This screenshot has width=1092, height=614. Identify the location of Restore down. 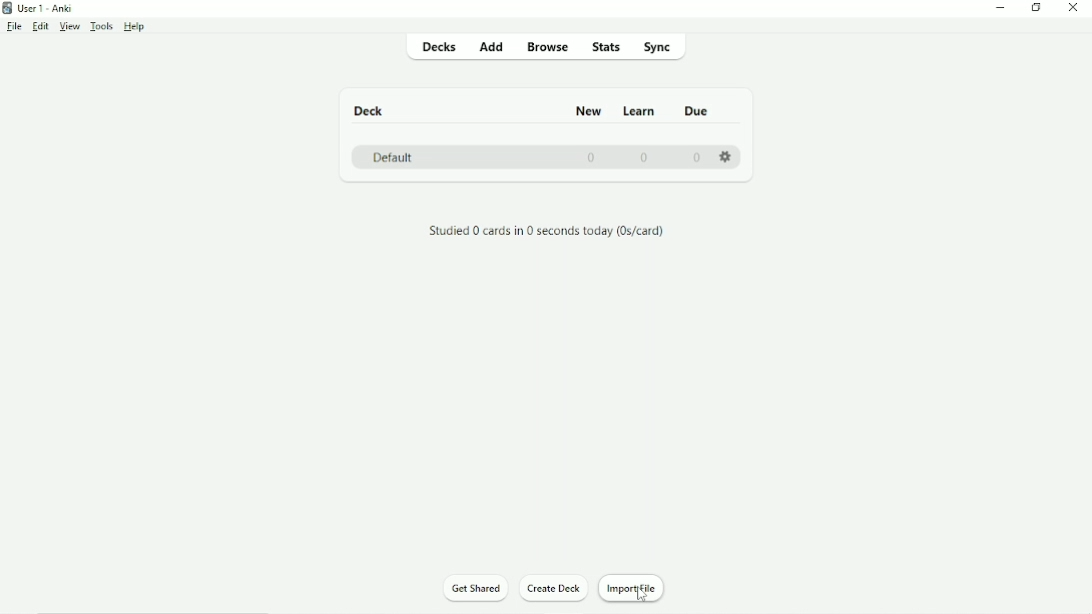
(1036, 8).